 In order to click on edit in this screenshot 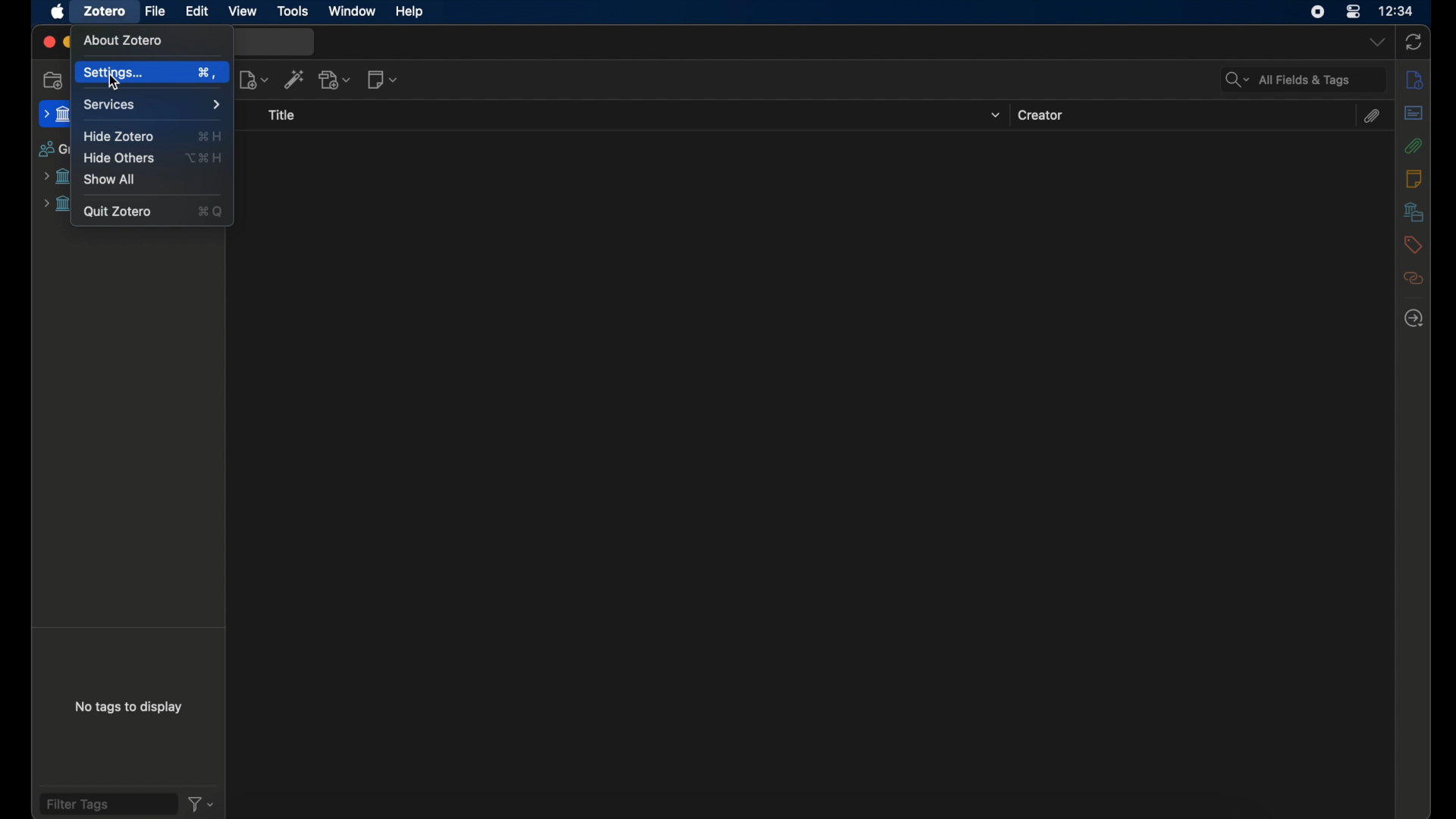, I will do `click(197, 11)`.